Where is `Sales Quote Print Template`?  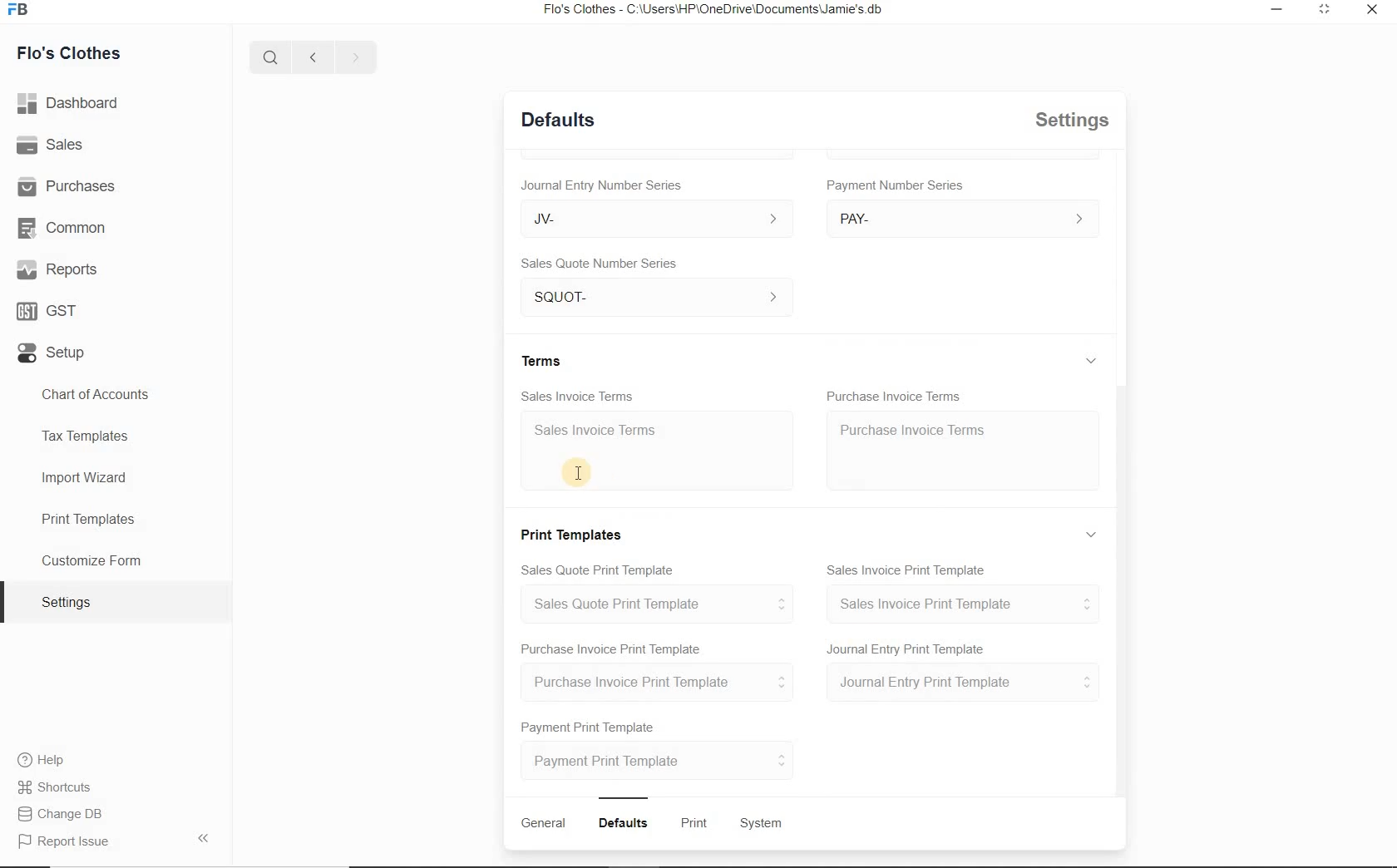 Sales Quote Print Template is located at coordinates (595, 570).